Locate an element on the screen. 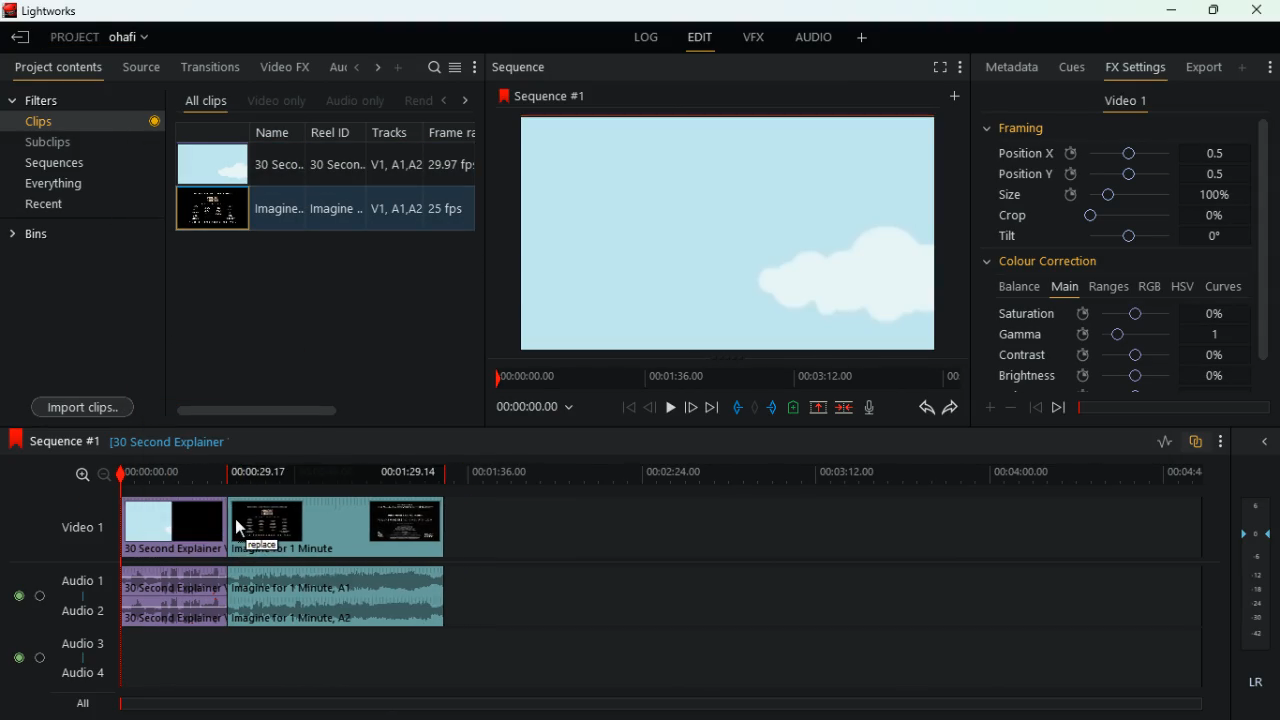 This screenshot has width=1280, height=720. more is located at coordinates (1267, 62).